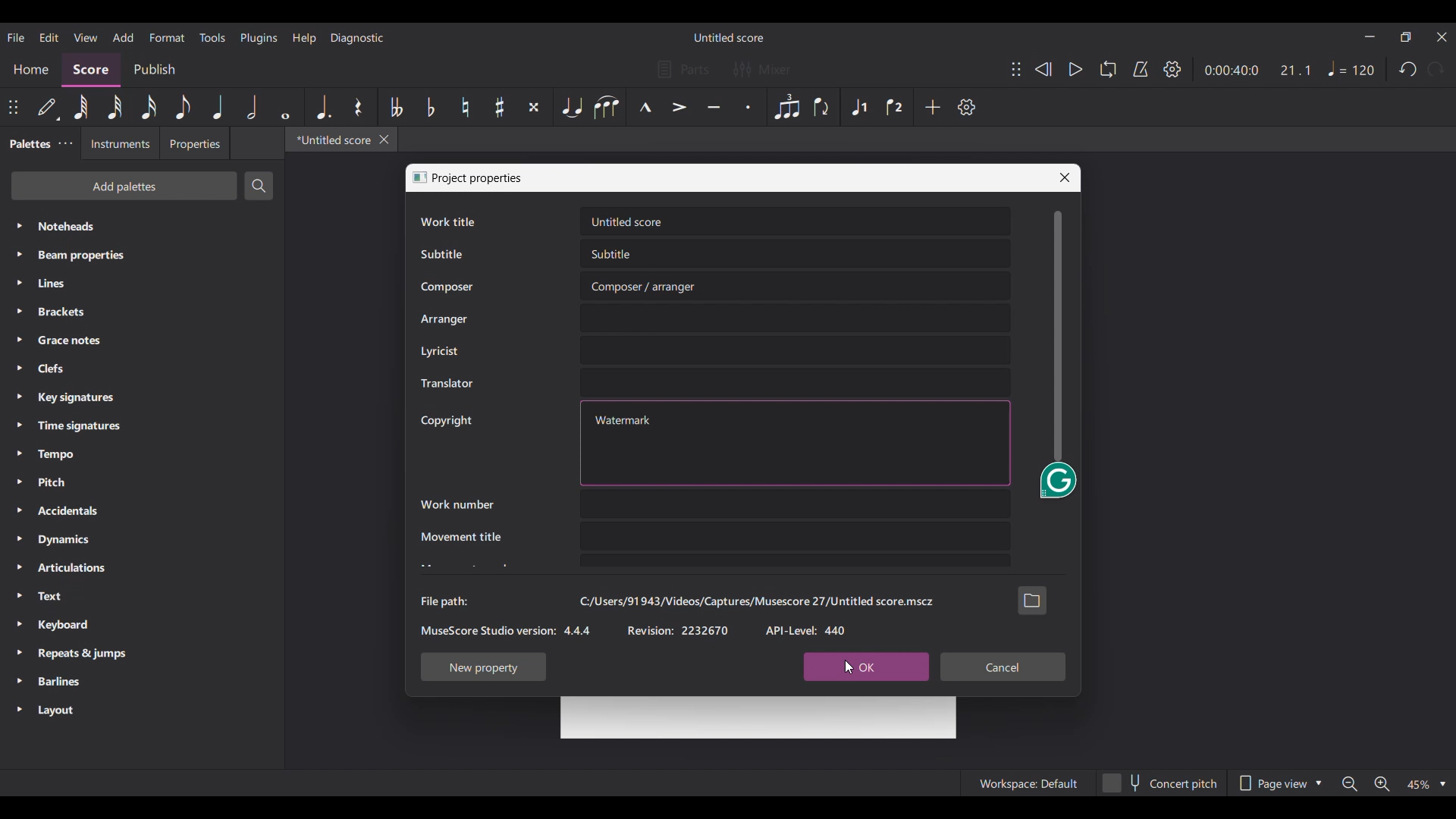 The height and width of the screenshot is (819, 1456). I want to click on 32nd menu, so click(115, 107).